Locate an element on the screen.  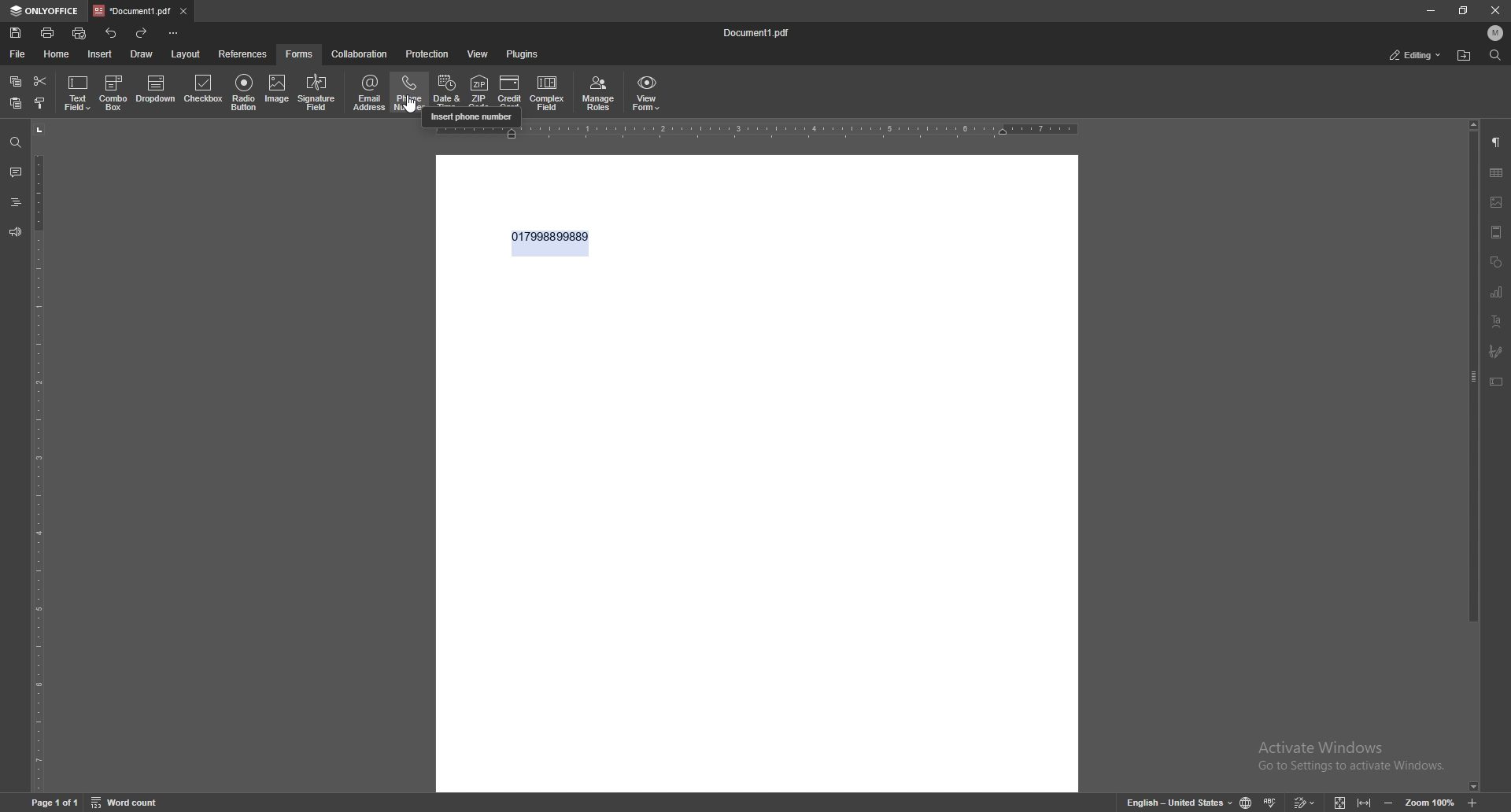
complex is located at coordinates (547, 93).